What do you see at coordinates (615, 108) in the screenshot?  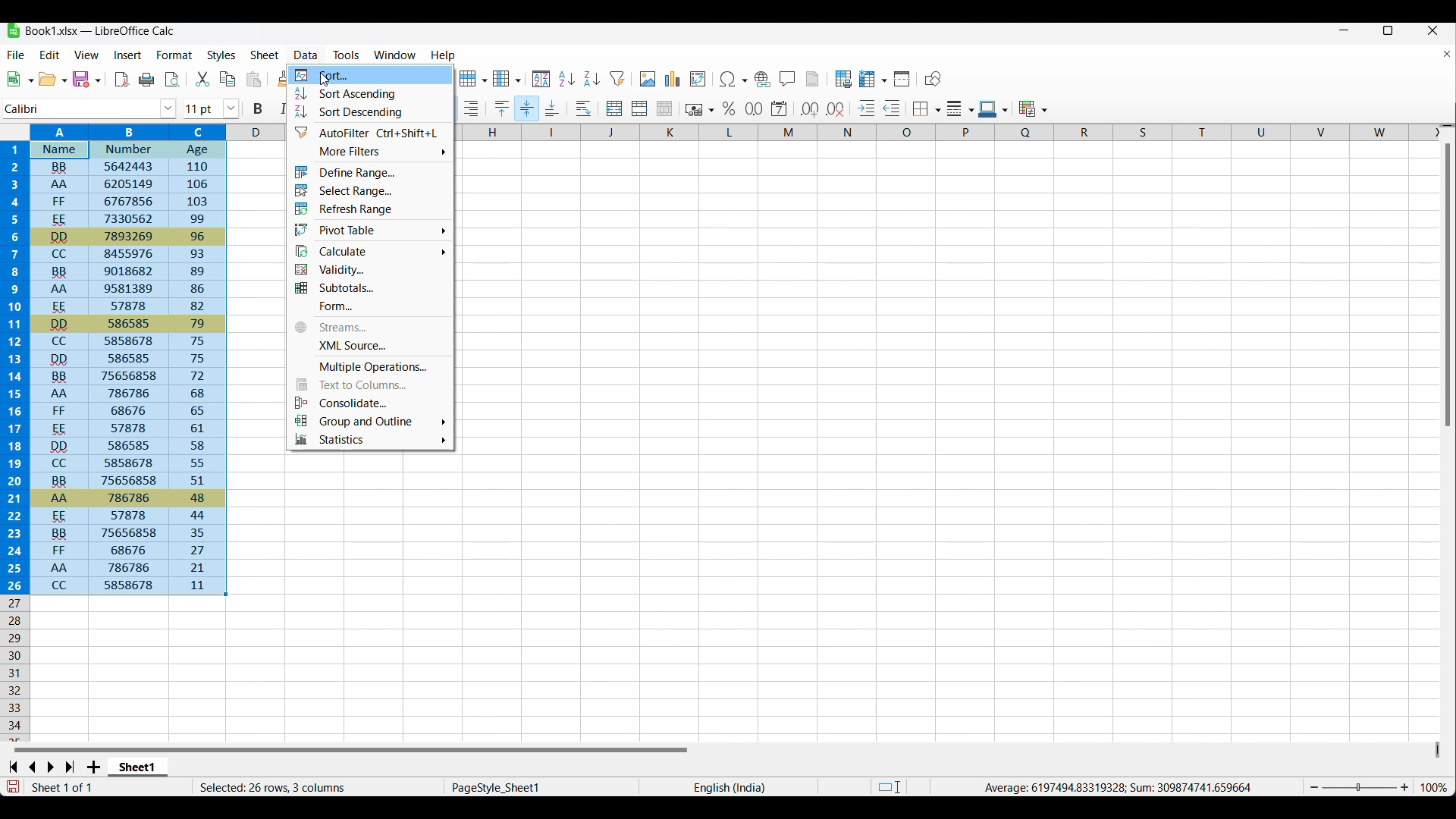 I see `Merge and center or unmerge` at bounding box center [615, 108].